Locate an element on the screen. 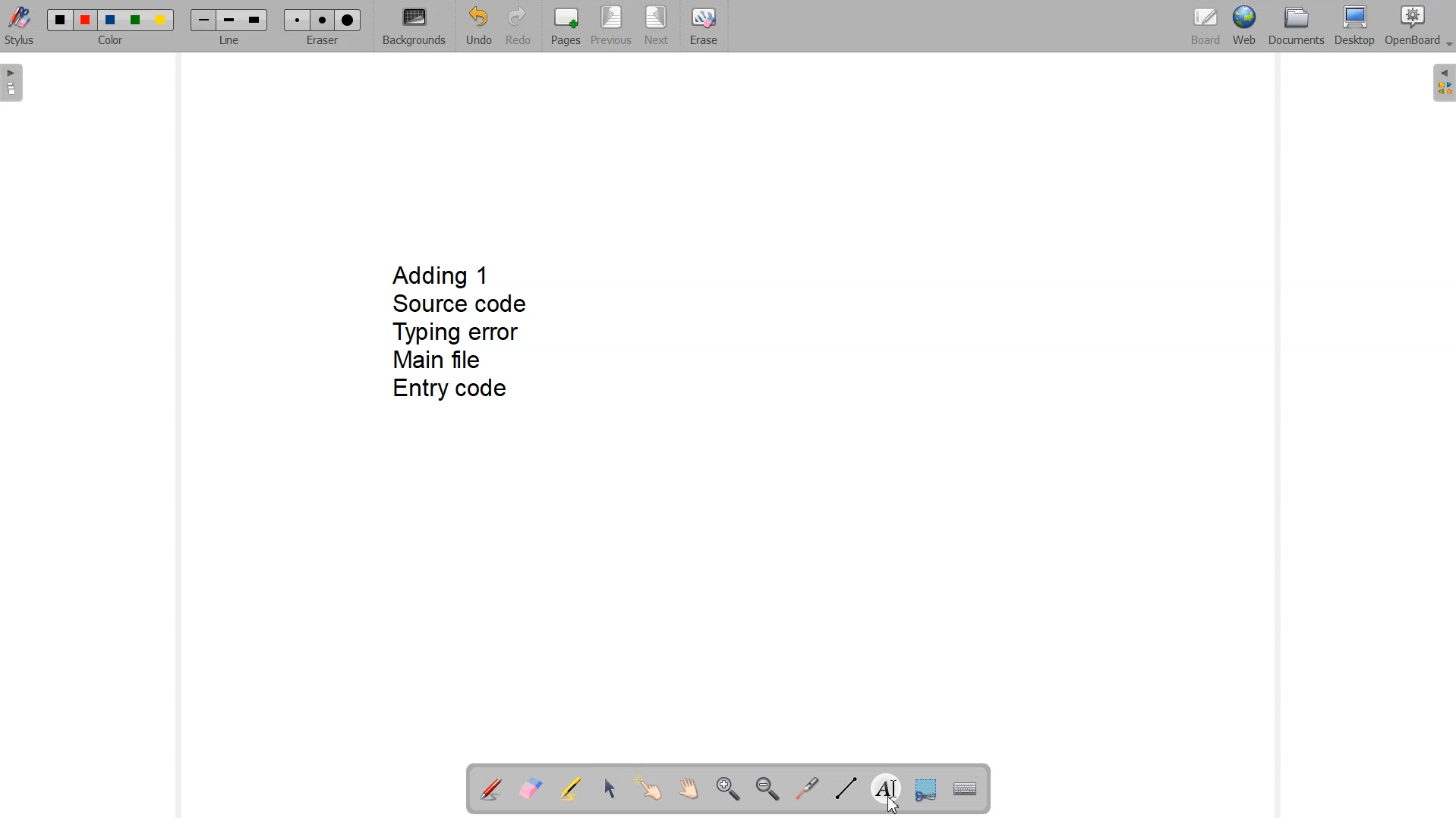 This screenshot has width=1456, height=818. Desktop is located at coordinates (1355, 27).